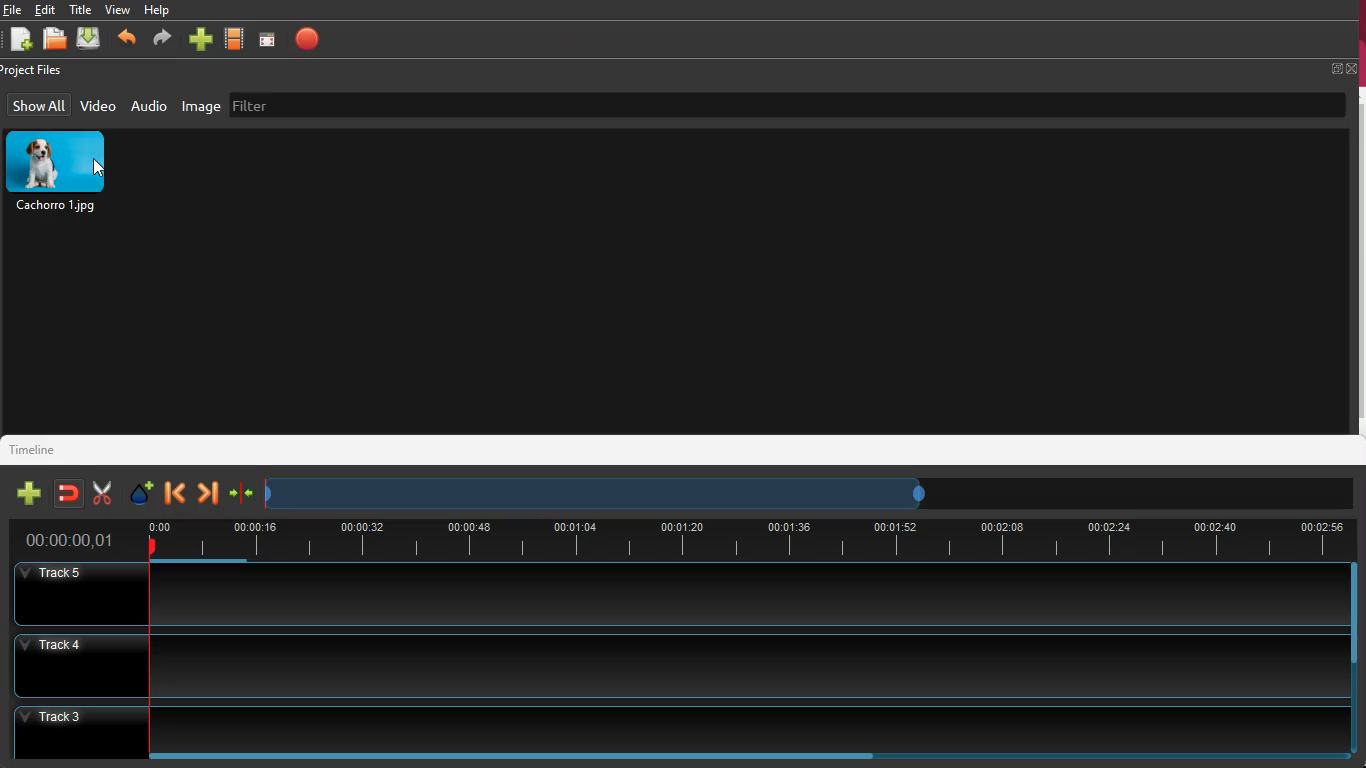  Describe the element at coordinates (312, 38) in the screenshot. I see `stop` at that location.